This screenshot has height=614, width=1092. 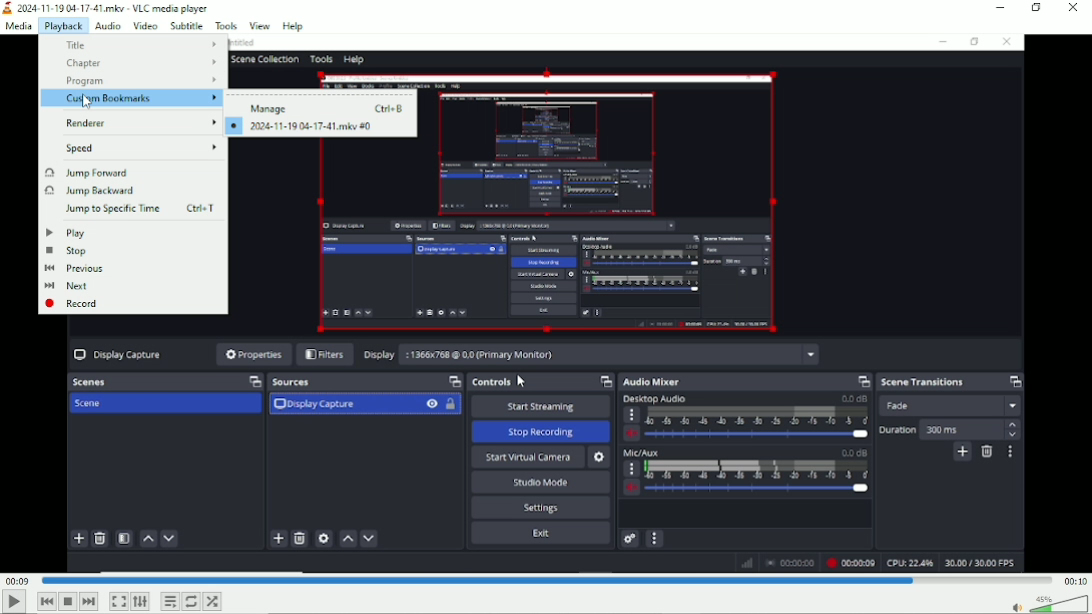 What do you see at coordinates (144, 62) in the screenshot?
I see `Chapter` at bounding box center [144, 62].